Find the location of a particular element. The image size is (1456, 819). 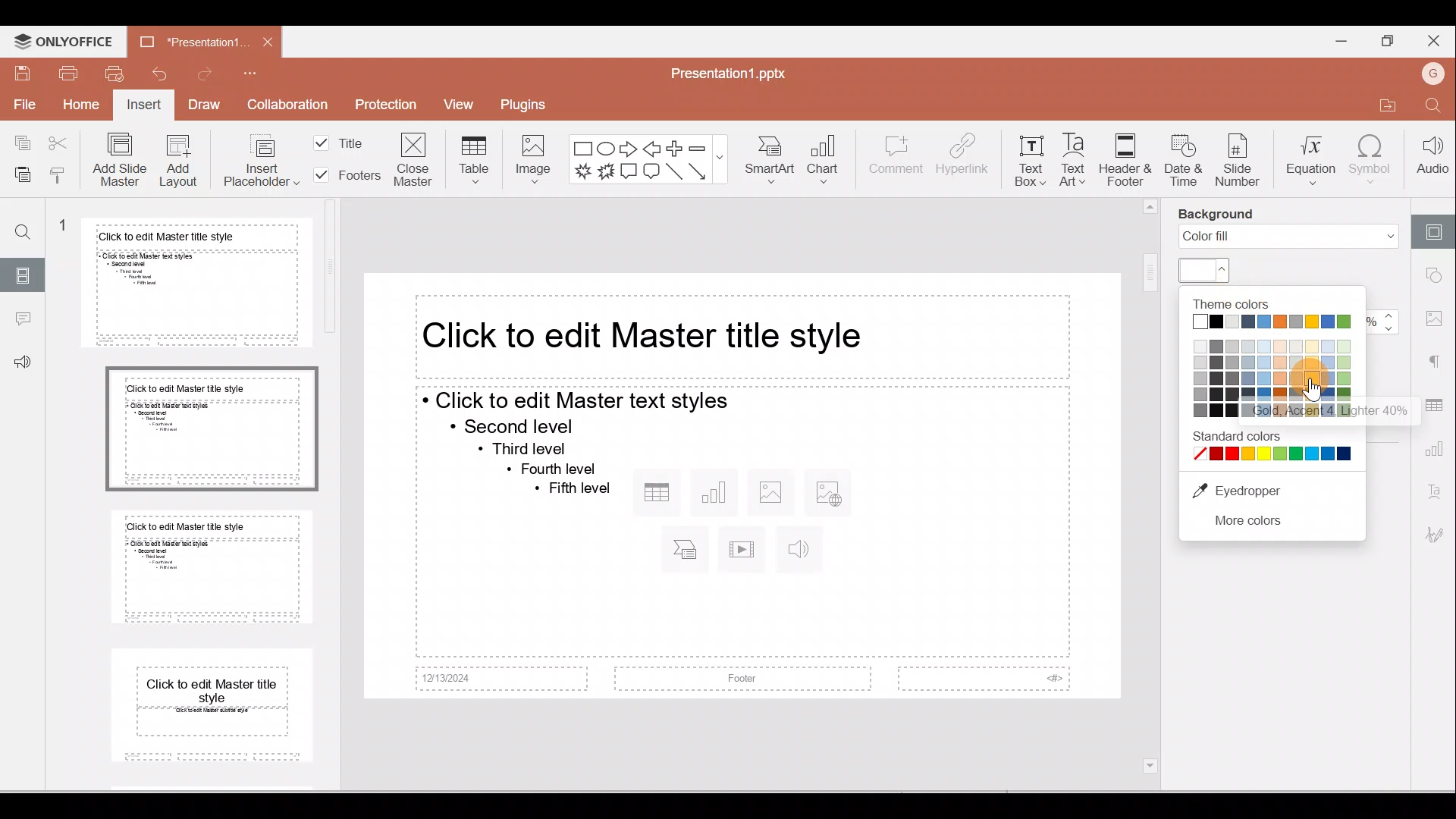

Explosion 1 is located at coordinates (581, 174).